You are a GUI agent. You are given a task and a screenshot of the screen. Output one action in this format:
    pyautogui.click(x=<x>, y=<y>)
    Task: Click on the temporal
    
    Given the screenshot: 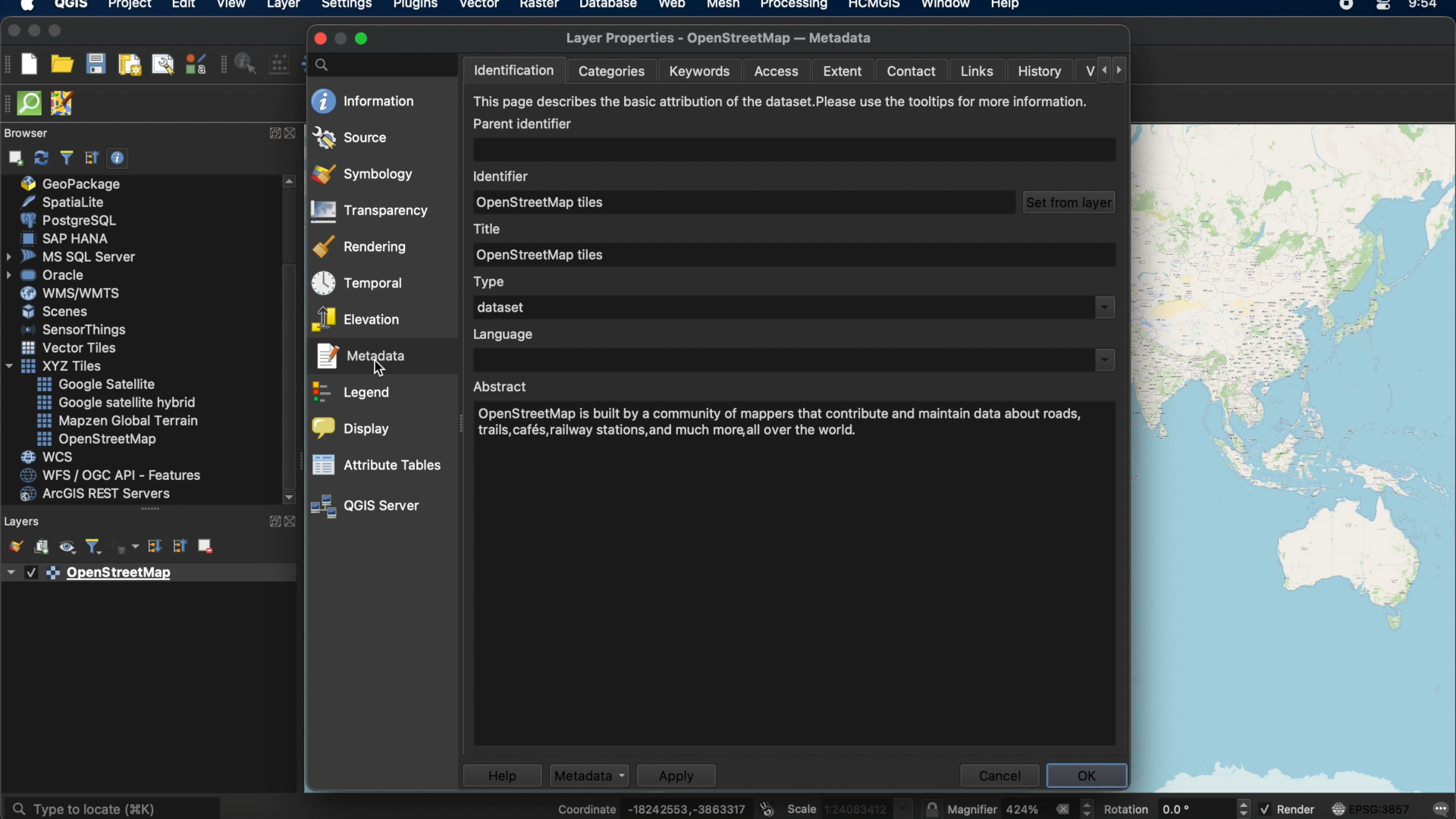 What is the action you would take?
    pyautogui.click(x=356, y=284)
    